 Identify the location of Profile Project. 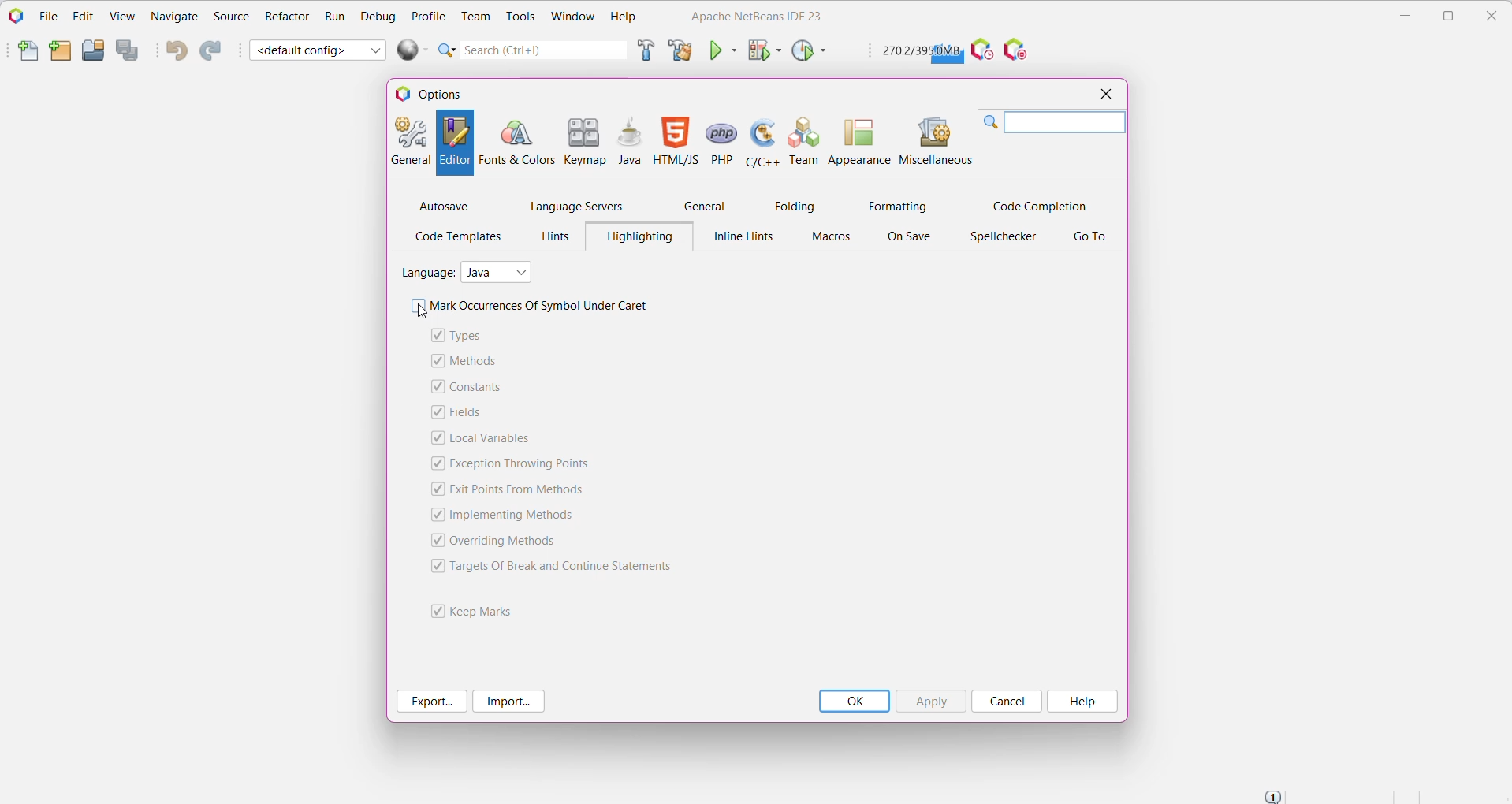
(809, 52).